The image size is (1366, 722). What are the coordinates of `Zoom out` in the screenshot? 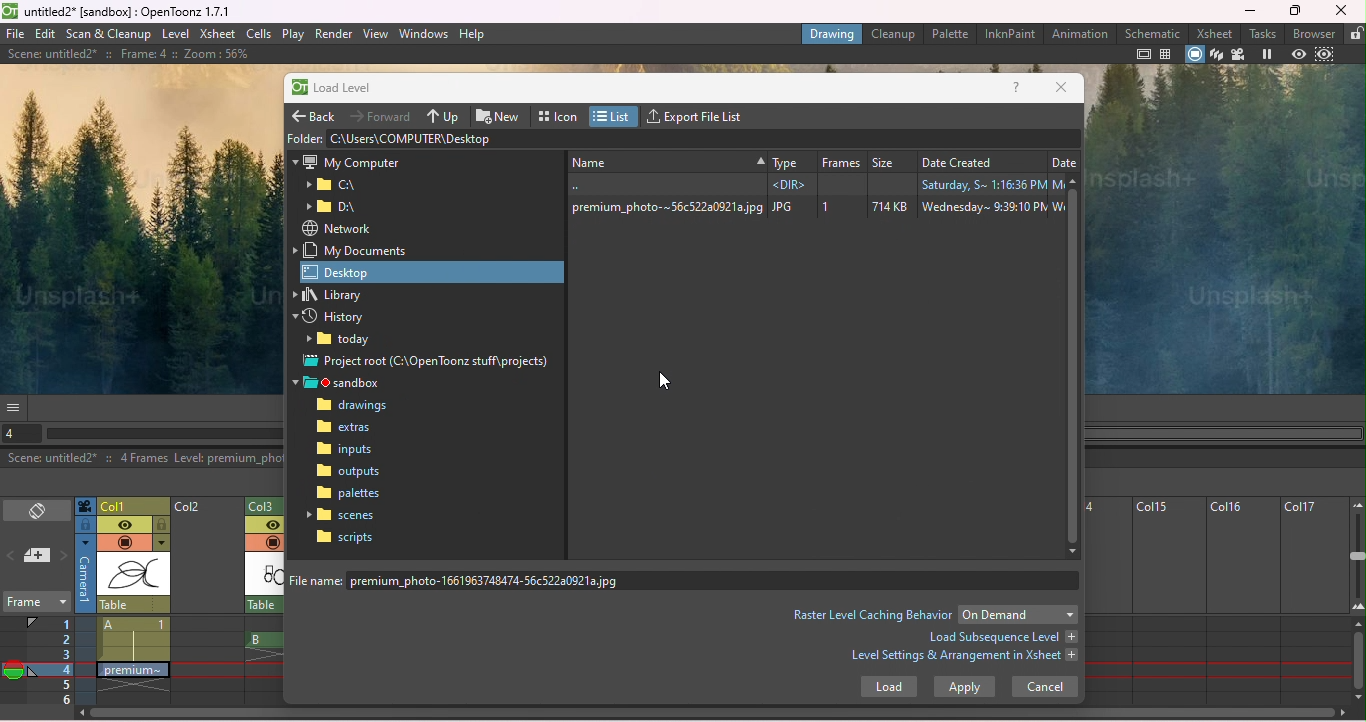 It's located at (1356, 504).